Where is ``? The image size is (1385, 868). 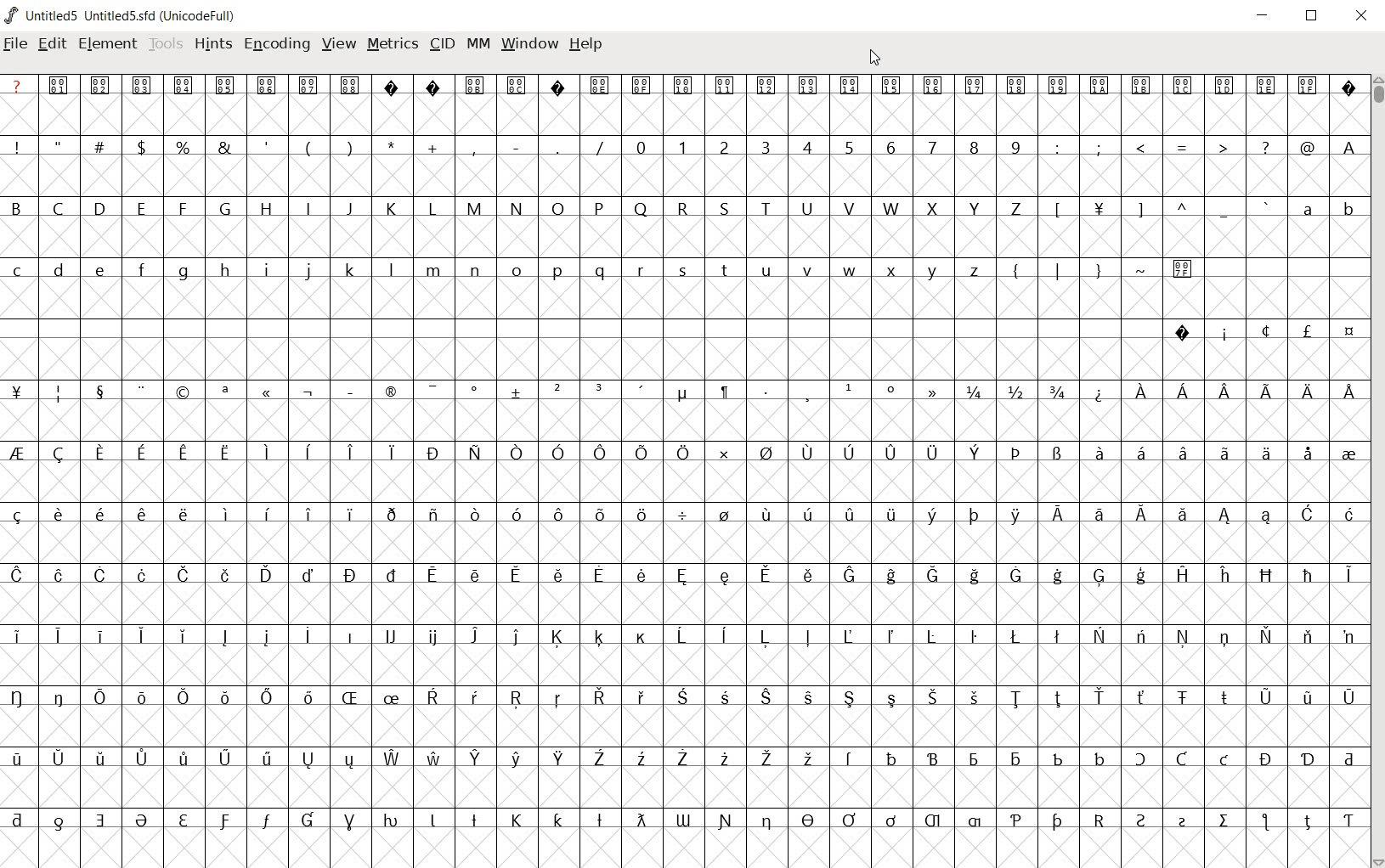  is located at coordinates (352, 86).